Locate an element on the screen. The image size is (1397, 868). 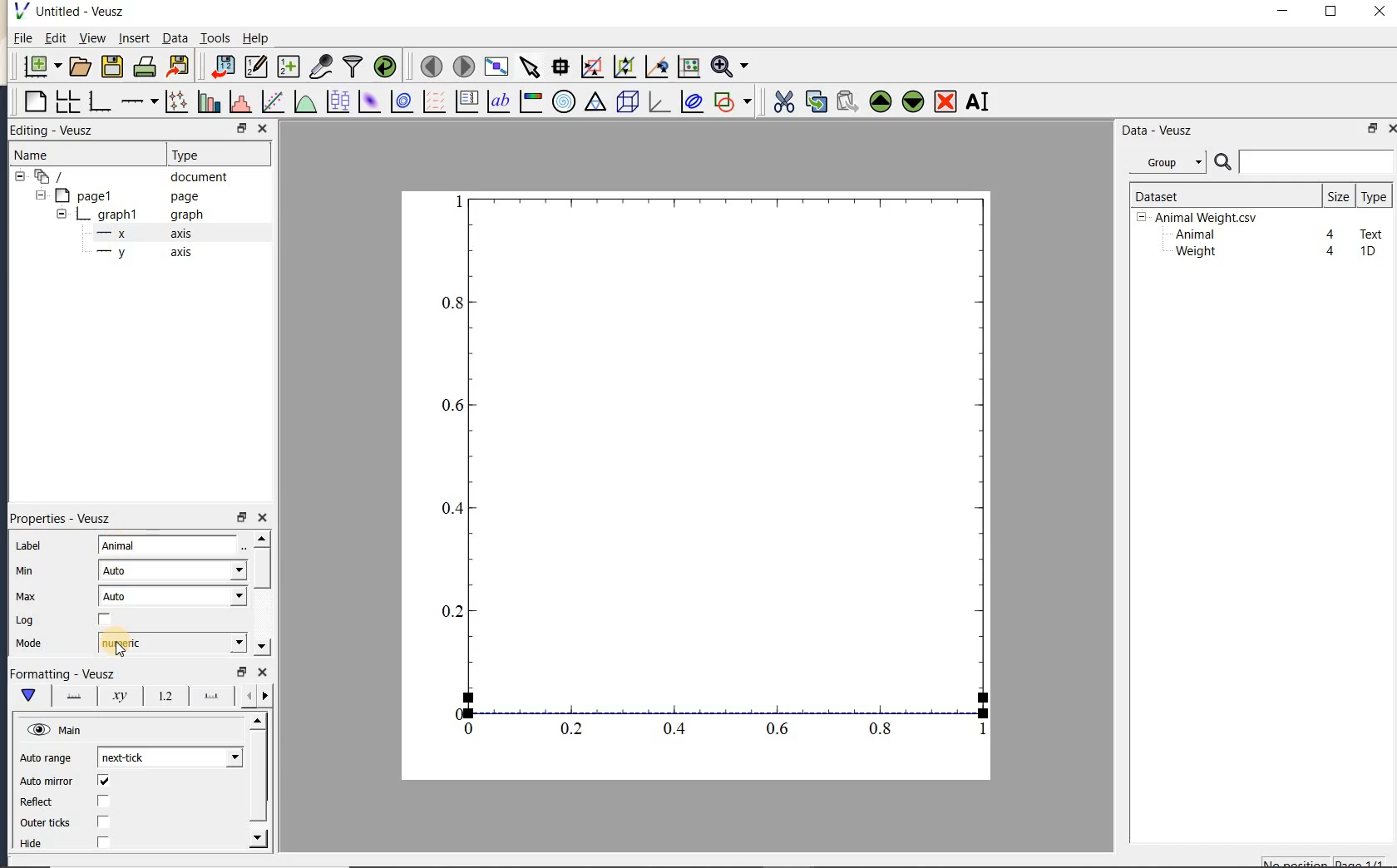
cut the selected widget is located at coordinates (782, 102).